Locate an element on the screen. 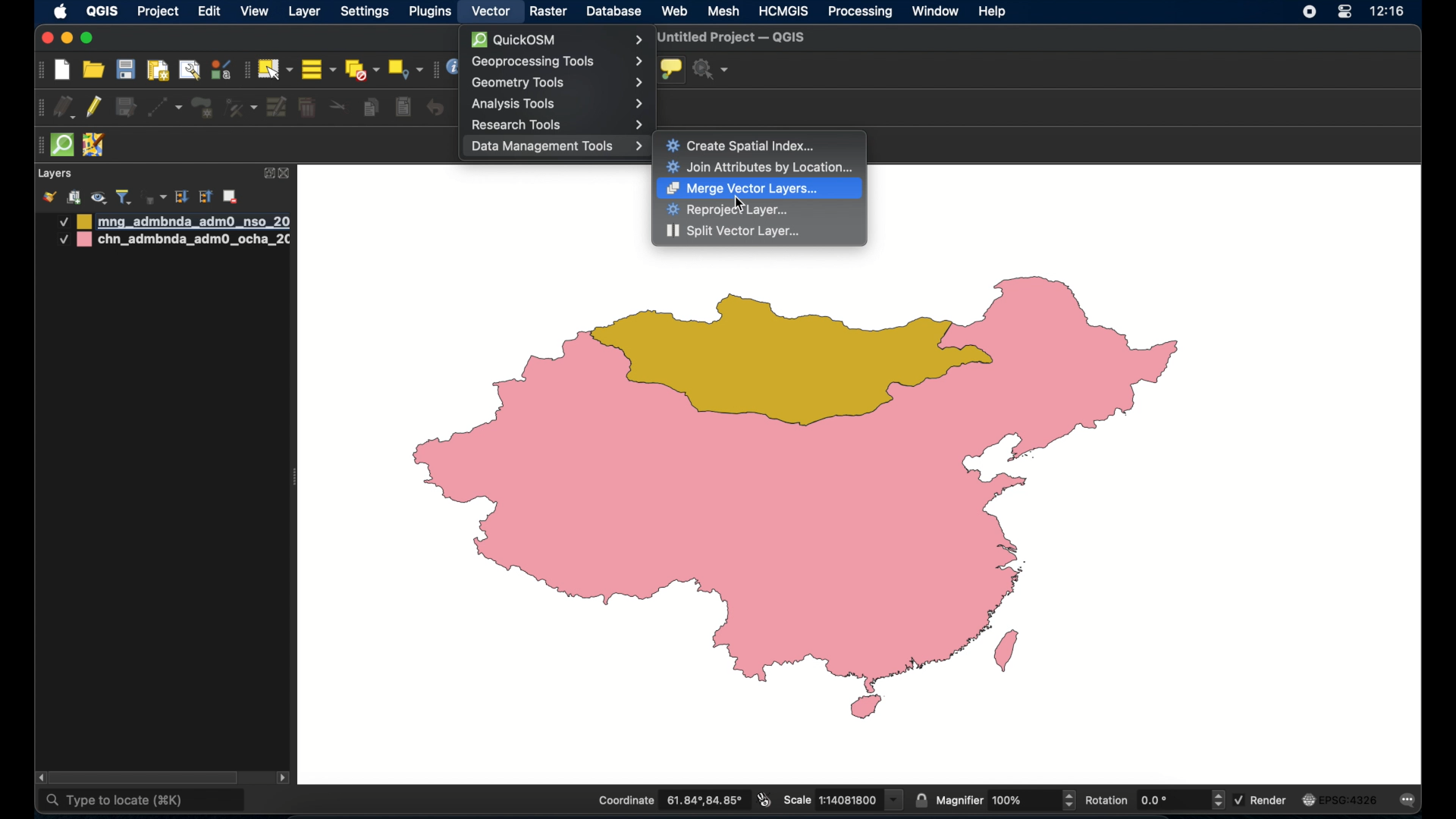  josh remote is located at coordinates (93, 146).